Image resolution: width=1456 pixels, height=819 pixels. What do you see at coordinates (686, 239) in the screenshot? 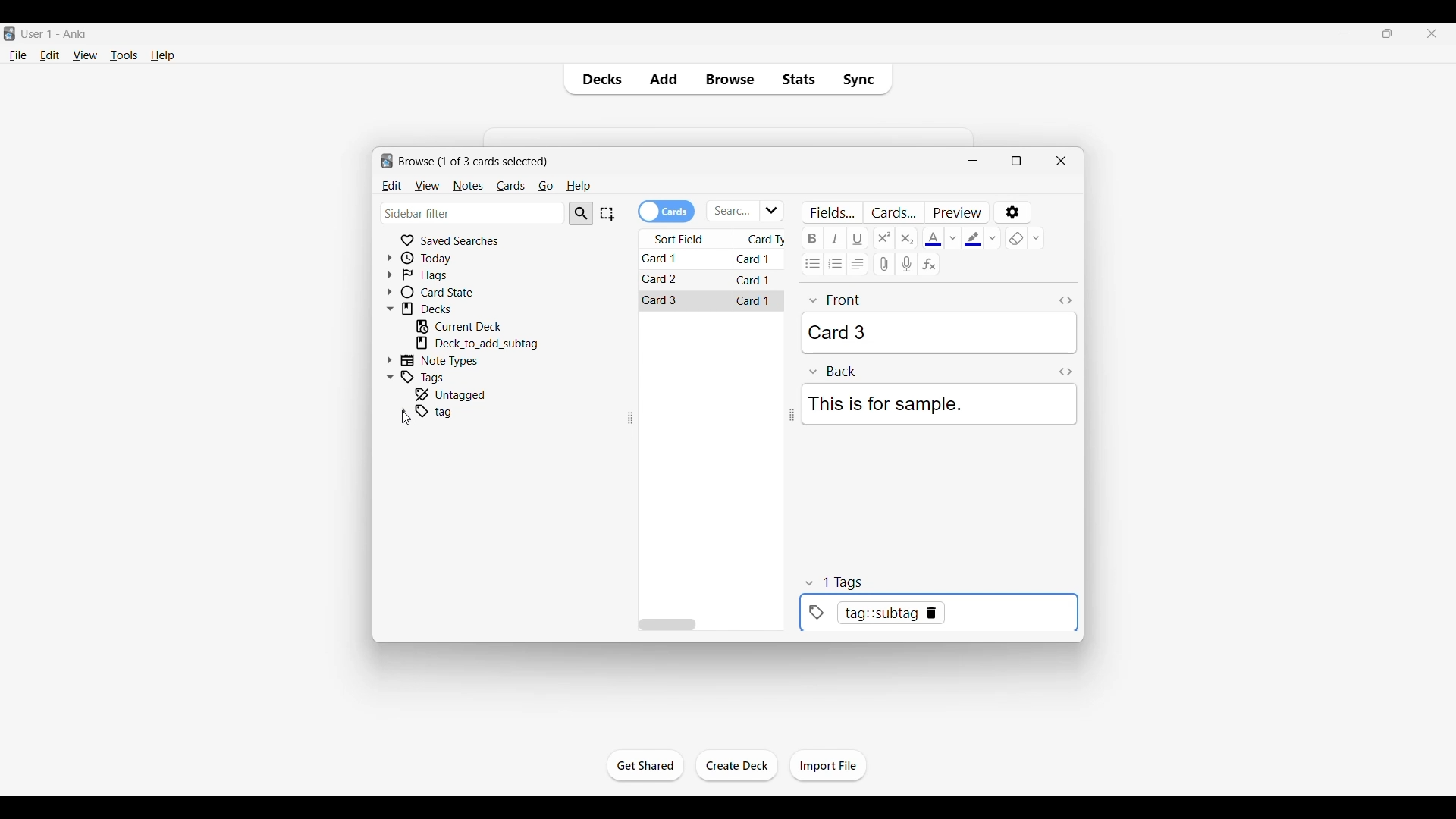
I see `Sort field column` at bounding box center [686, 239].